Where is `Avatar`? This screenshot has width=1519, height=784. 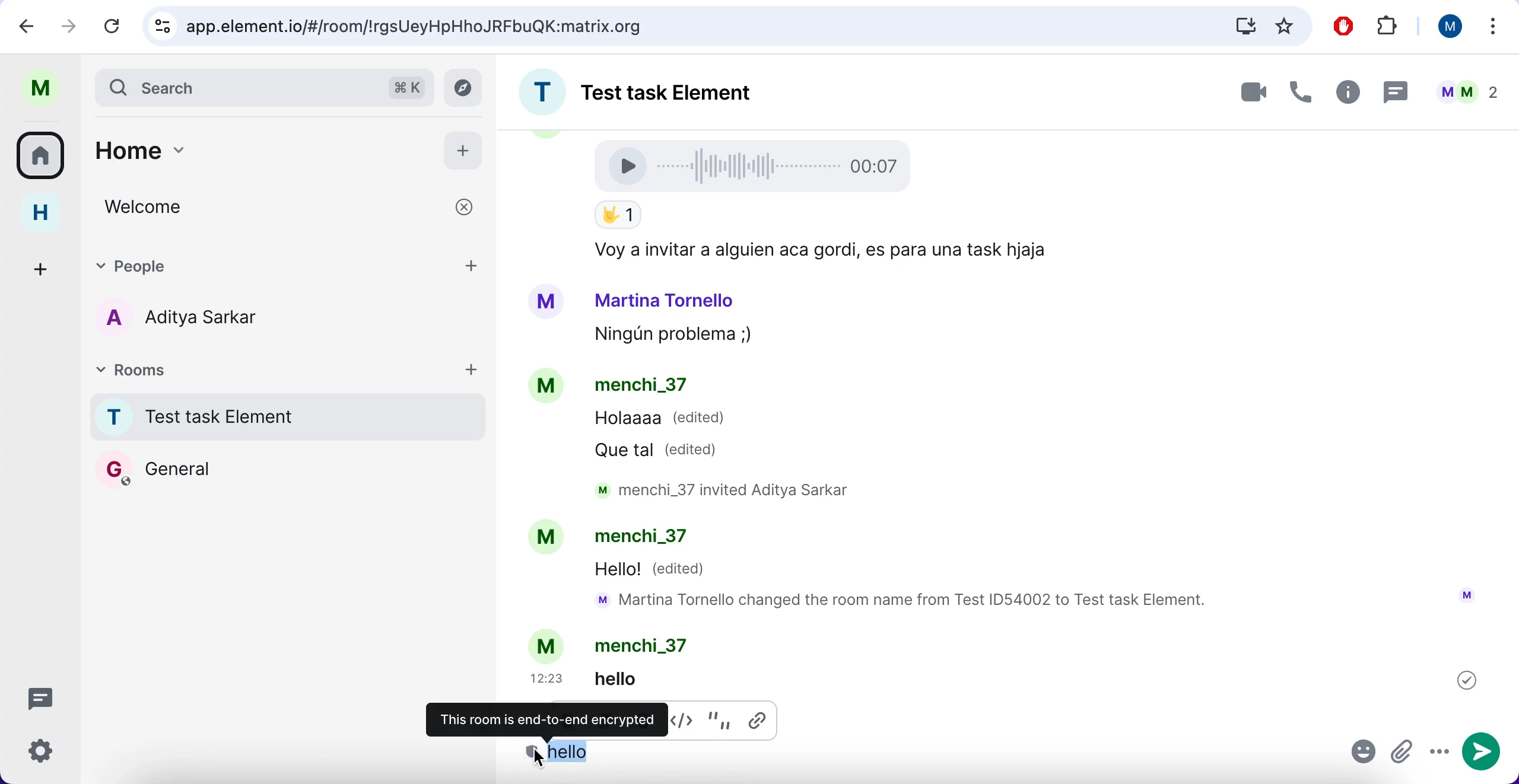
Avatar is located at coordinates (545, 538).